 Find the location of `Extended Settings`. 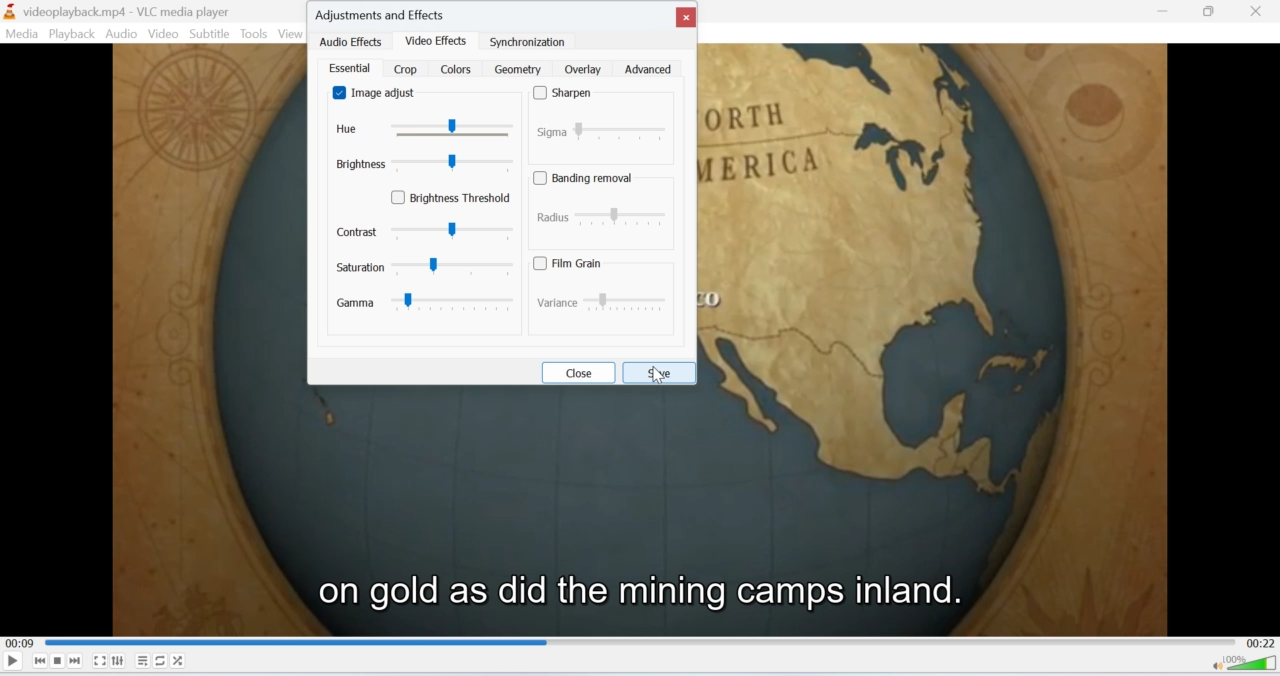

Extended Settings is located at coordinates (118, 661).